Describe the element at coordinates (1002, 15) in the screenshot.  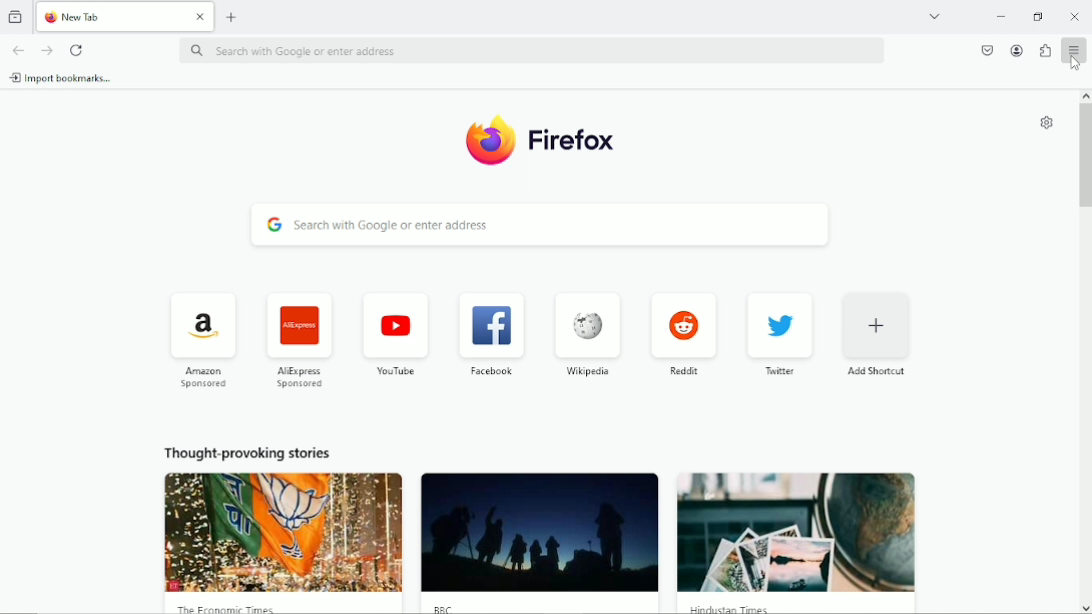
I see `Minimize` at that location.